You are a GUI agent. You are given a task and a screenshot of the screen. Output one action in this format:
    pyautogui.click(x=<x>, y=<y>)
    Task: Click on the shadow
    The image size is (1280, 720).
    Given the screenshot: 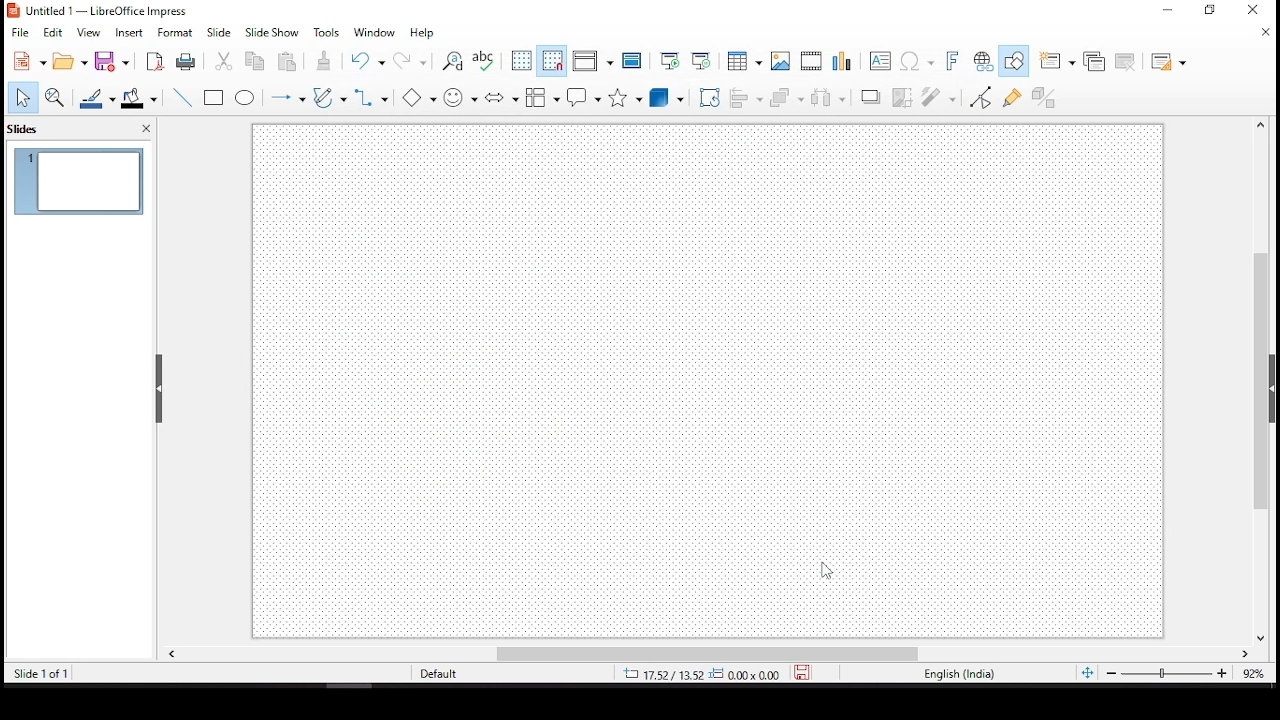 What is the action you would take?
    pyautogui.click(x=867, y=96)
    